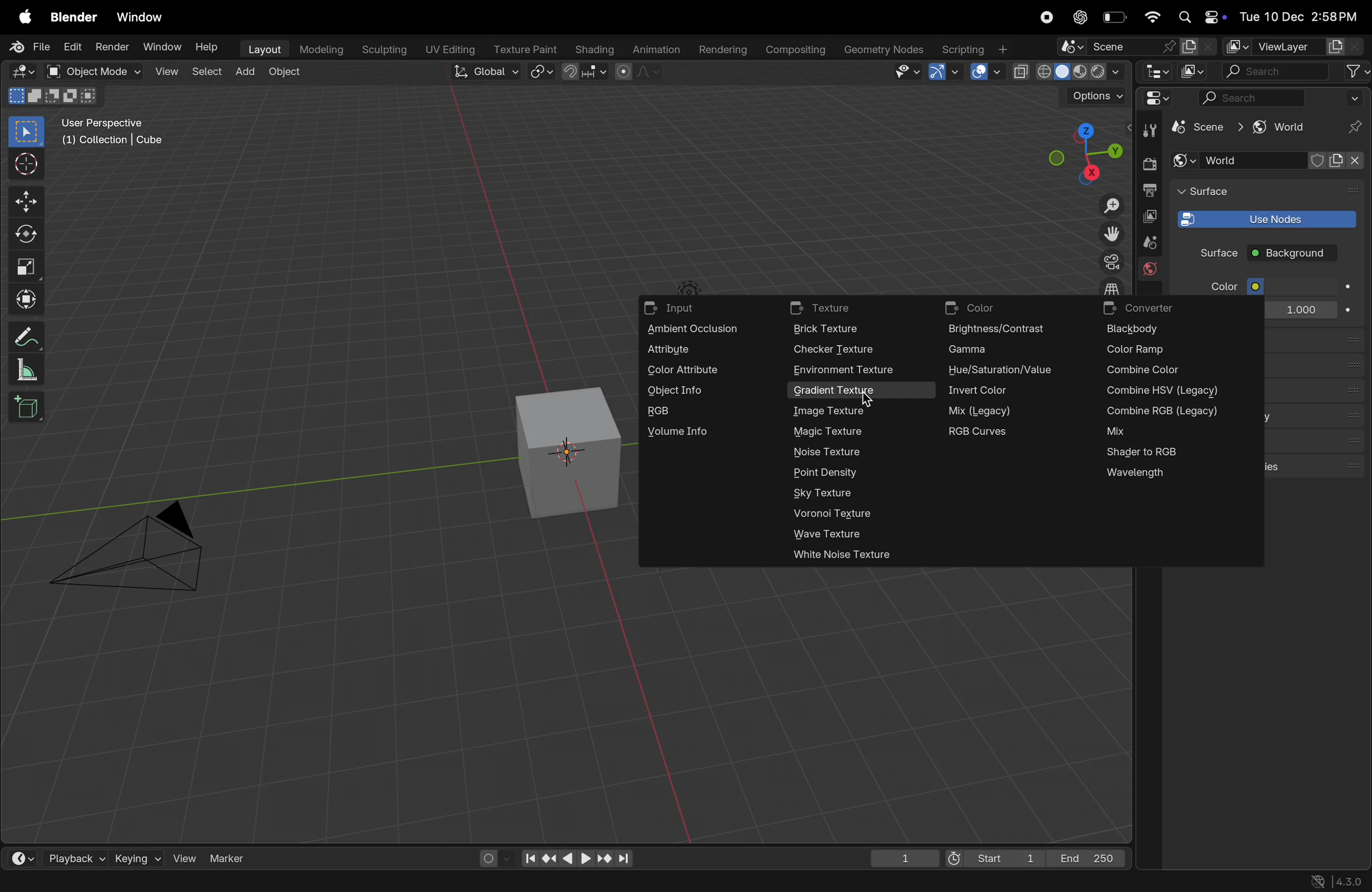  Describe the element at coordinates (206, 47) in the screenshot. I see `Help` at that location.